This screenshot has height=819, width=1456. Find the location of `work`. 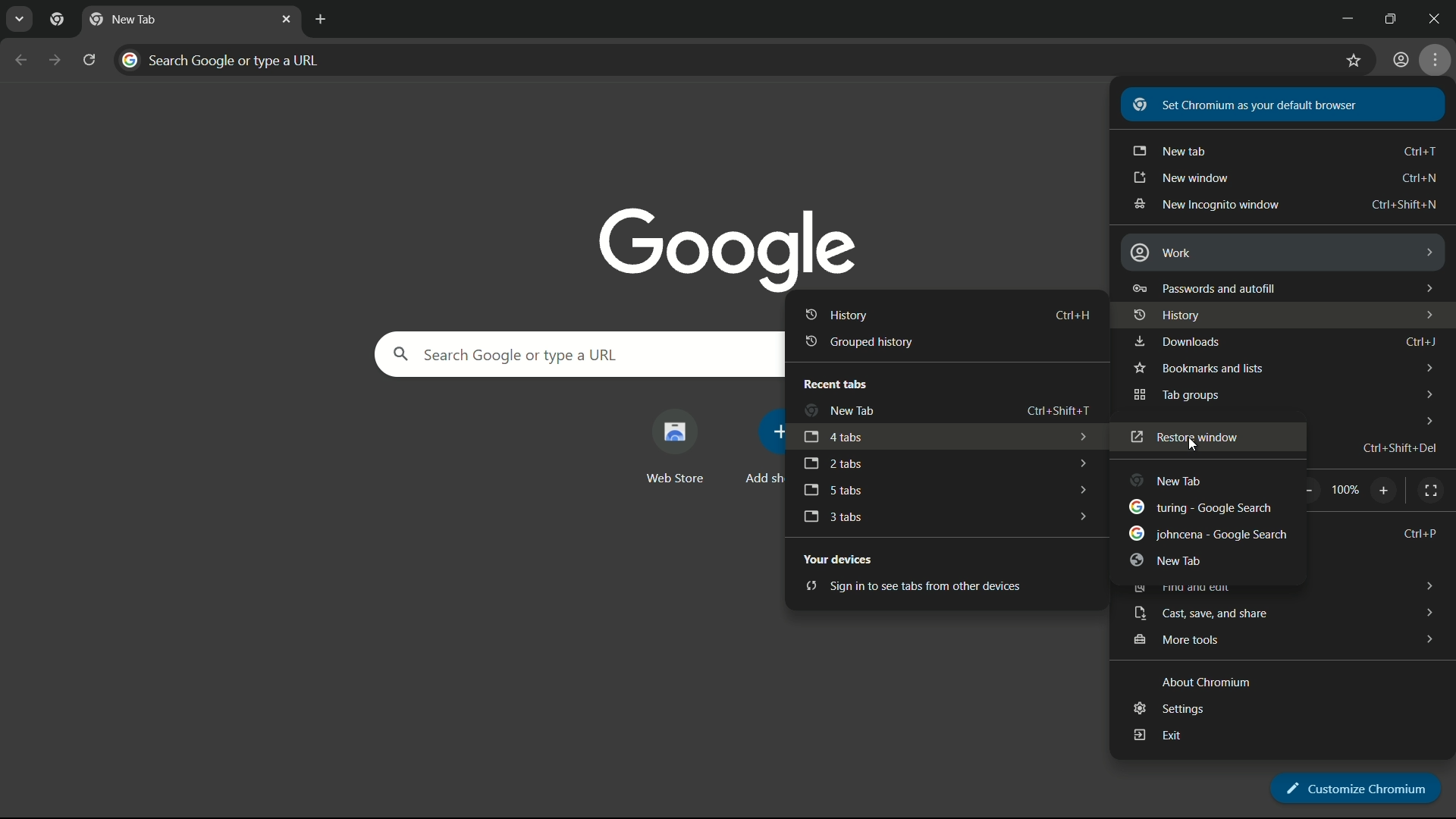

work is located at coordinates (1161, 253).